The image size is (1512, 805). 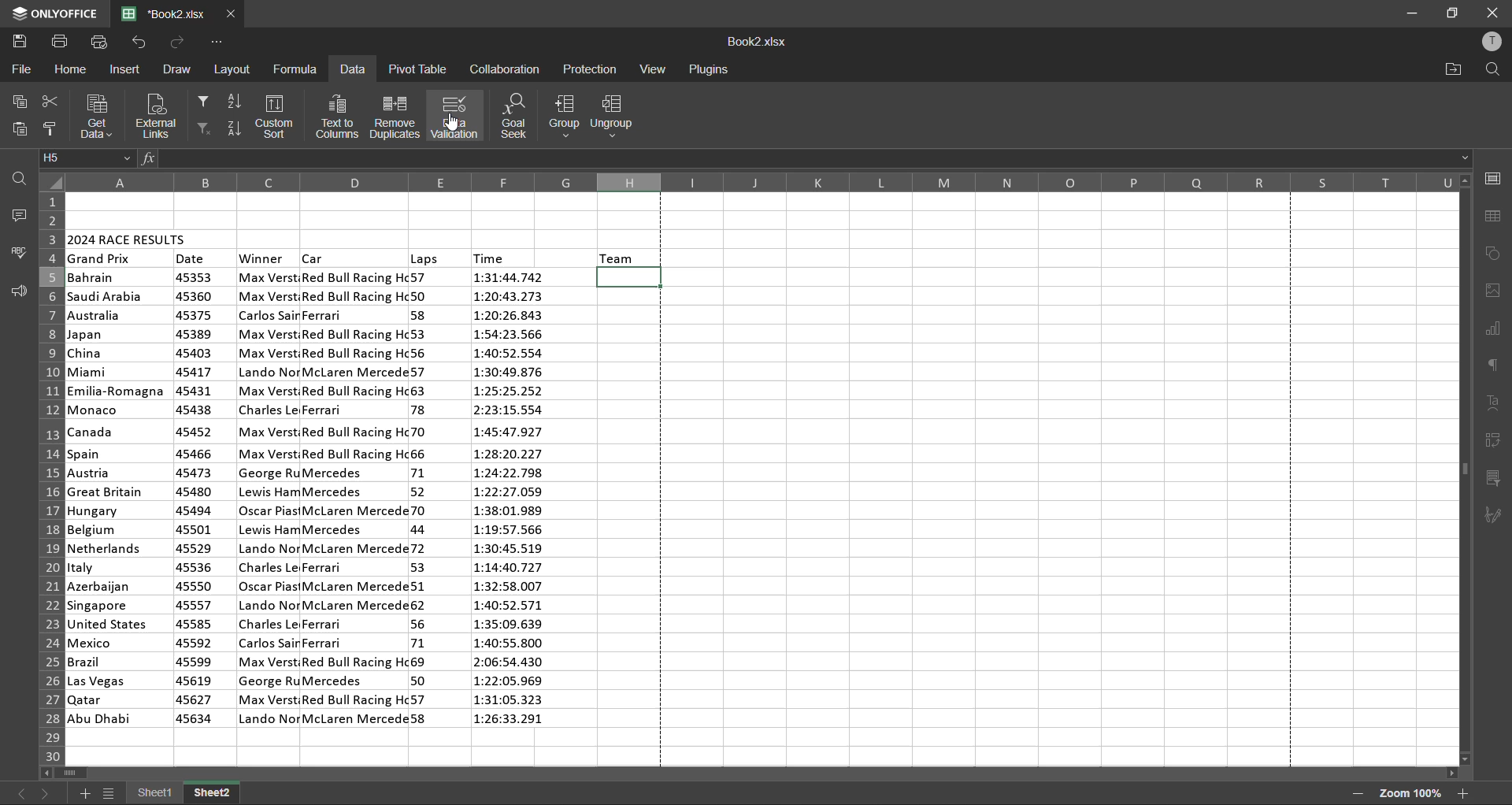 What do you see at coordinates (1497, 364) in the screenshot?
I see `paragraph` at bounding box center [1497, 364].